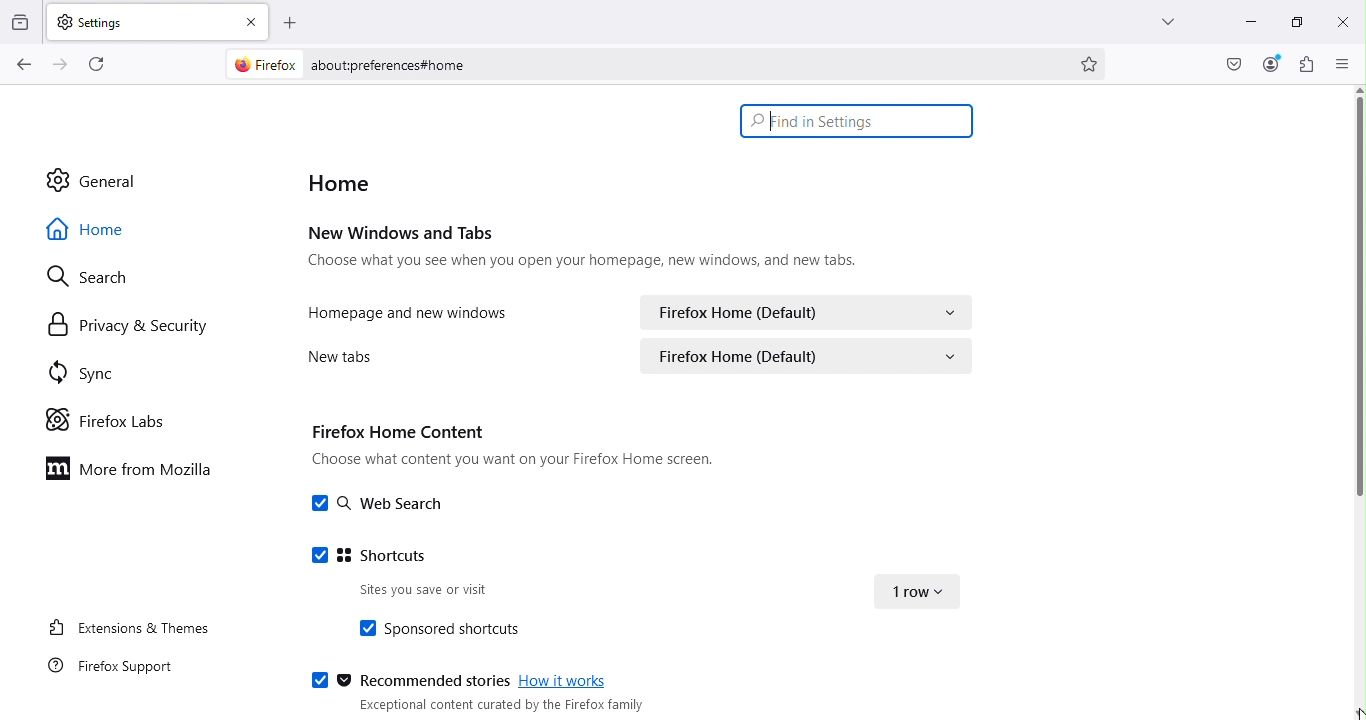 The width and height of the screenshot is (1366, 720). I want to click on Home, so click(102, 227).